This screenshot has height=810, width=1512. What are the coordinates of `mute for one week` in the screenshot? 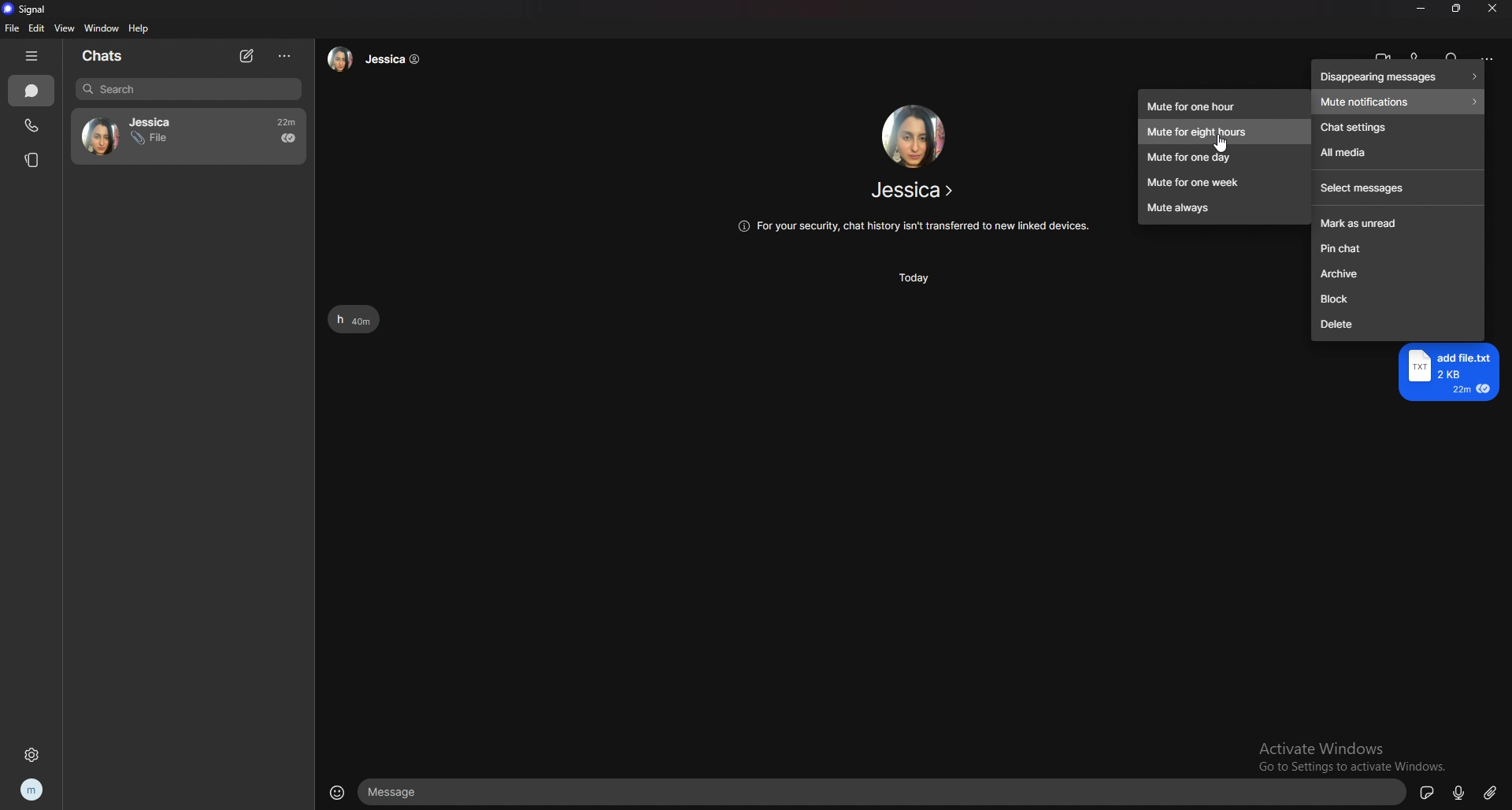 It's located at (1222, 184).